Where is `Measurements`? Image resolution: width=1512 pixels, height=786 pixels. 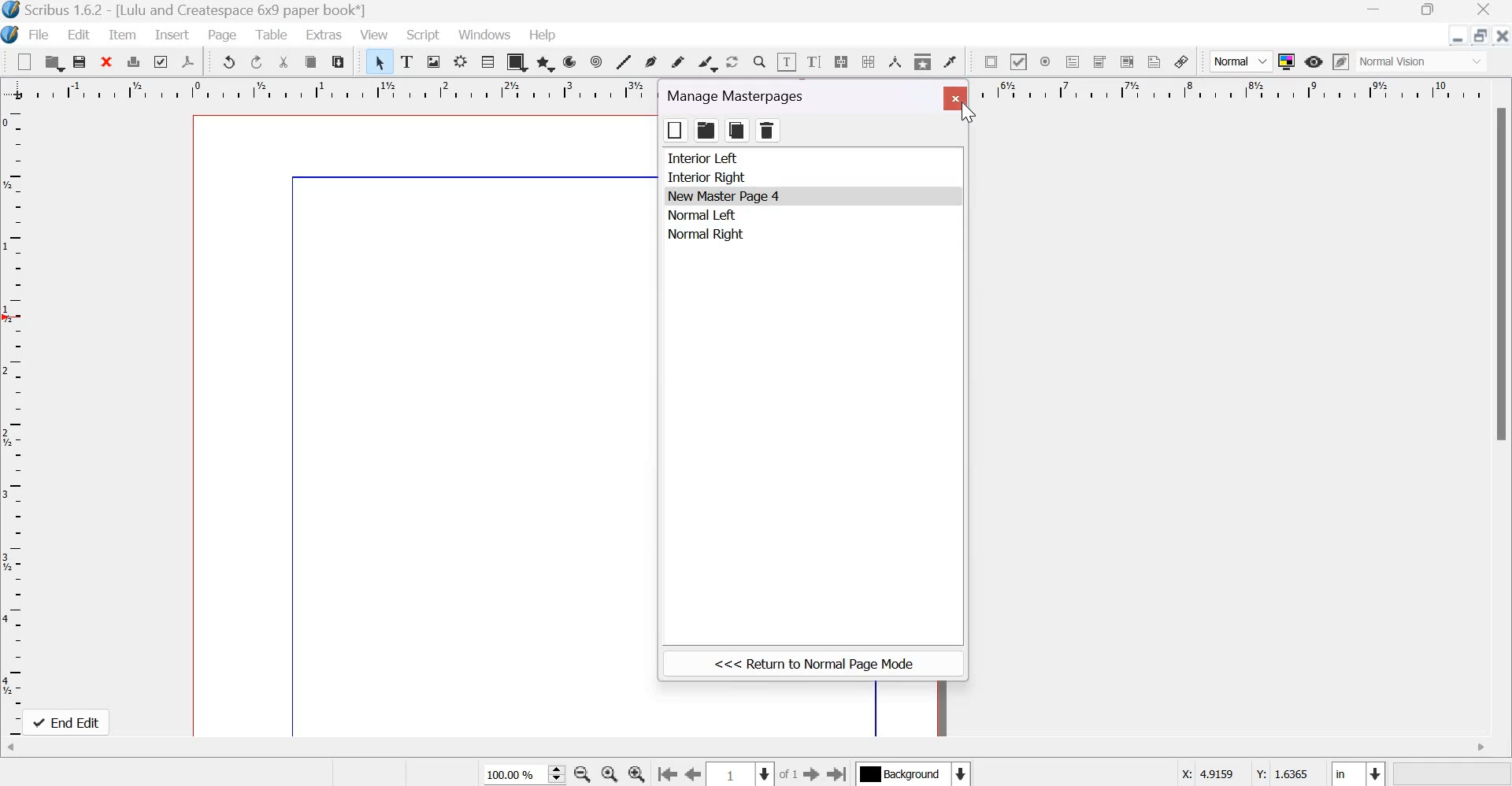
Measurements is located at coordinates (895, 63).